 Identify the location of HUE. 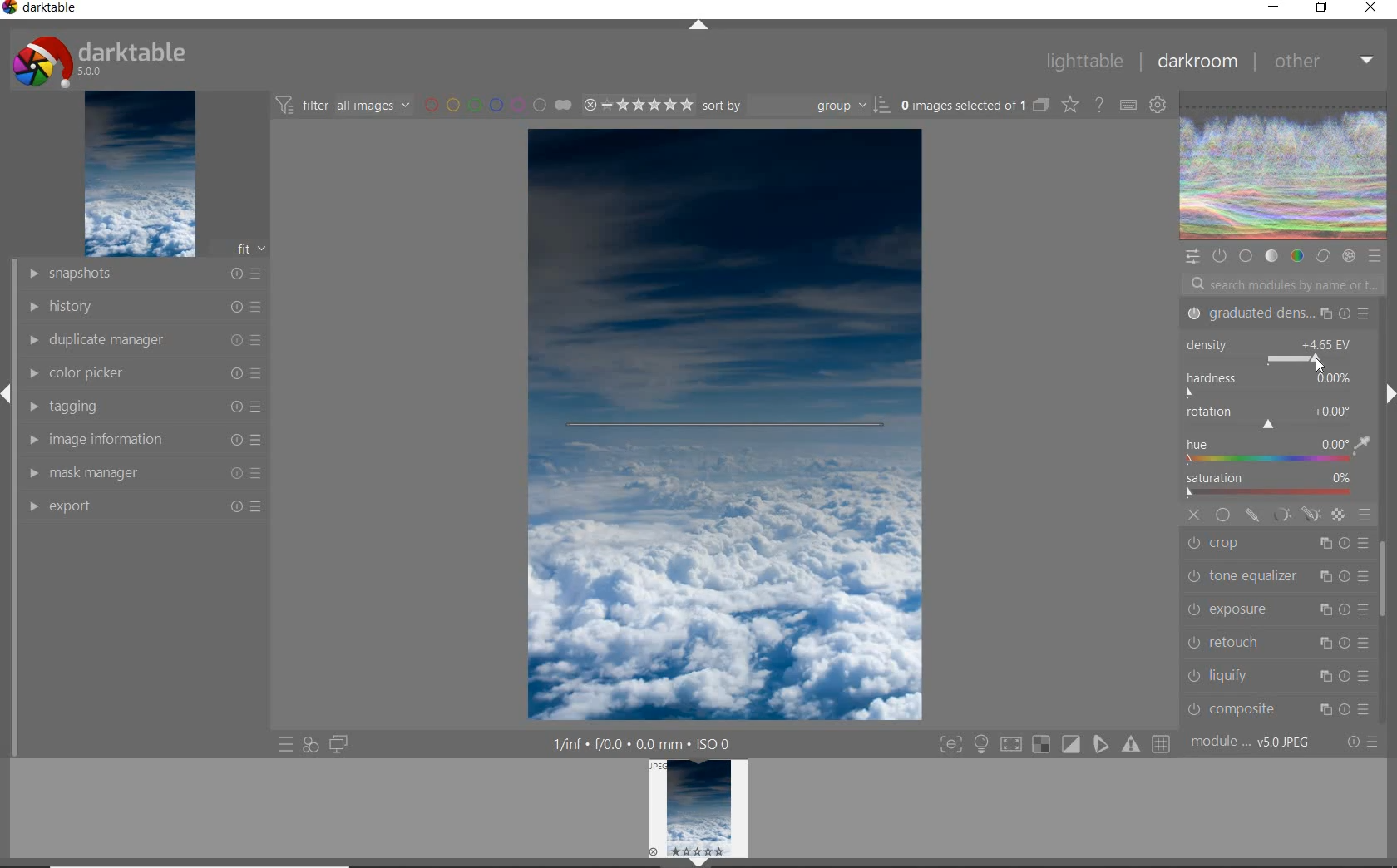
(1278, 452).